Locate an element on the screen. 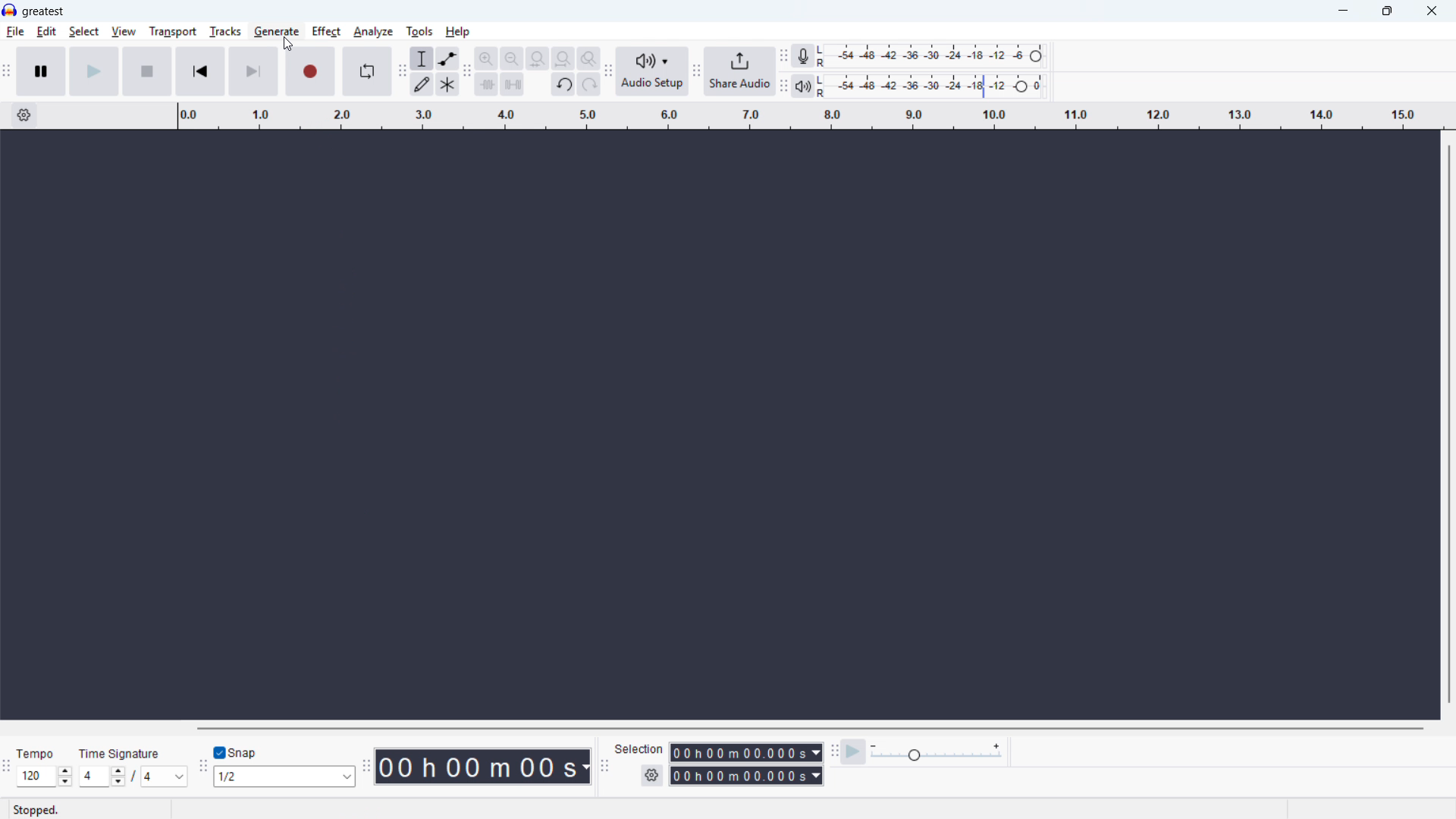  tools toolbar is located at coordinates (402, 73).